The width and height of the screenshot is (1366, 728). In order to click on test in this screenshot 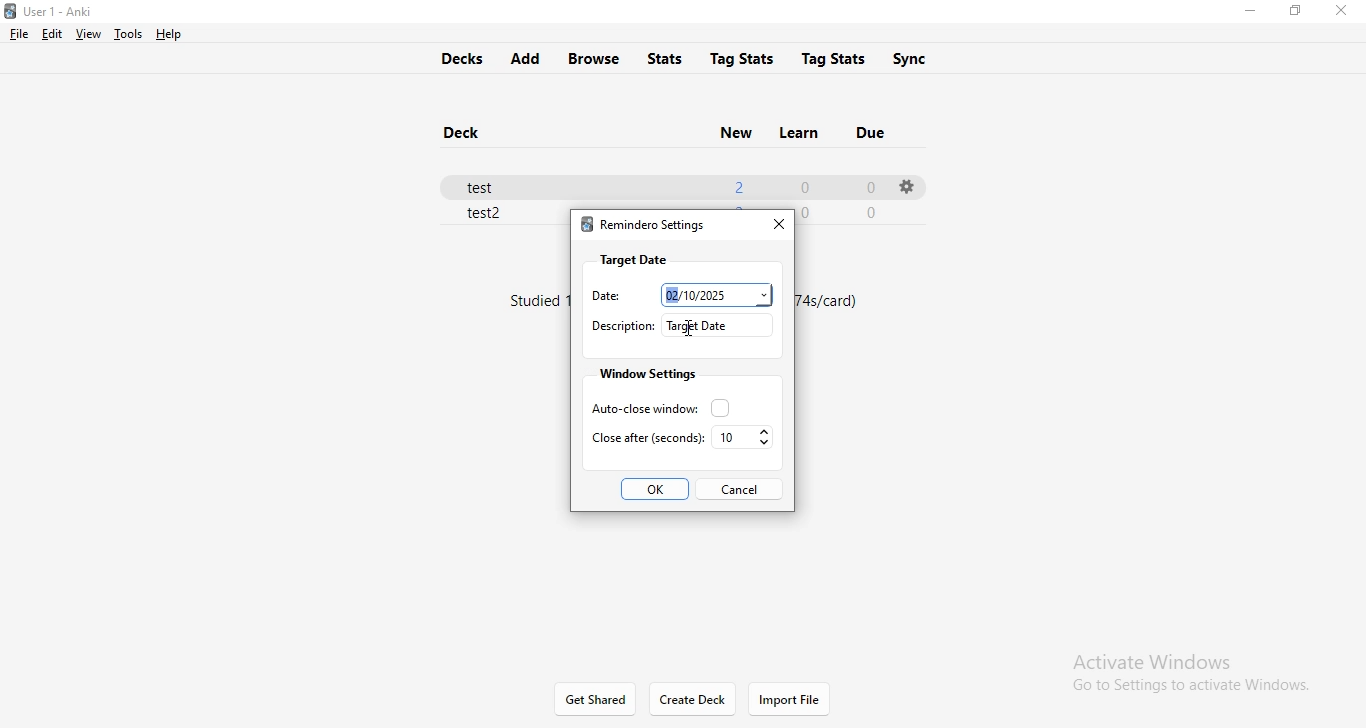, I will do `click(489, 184)`.